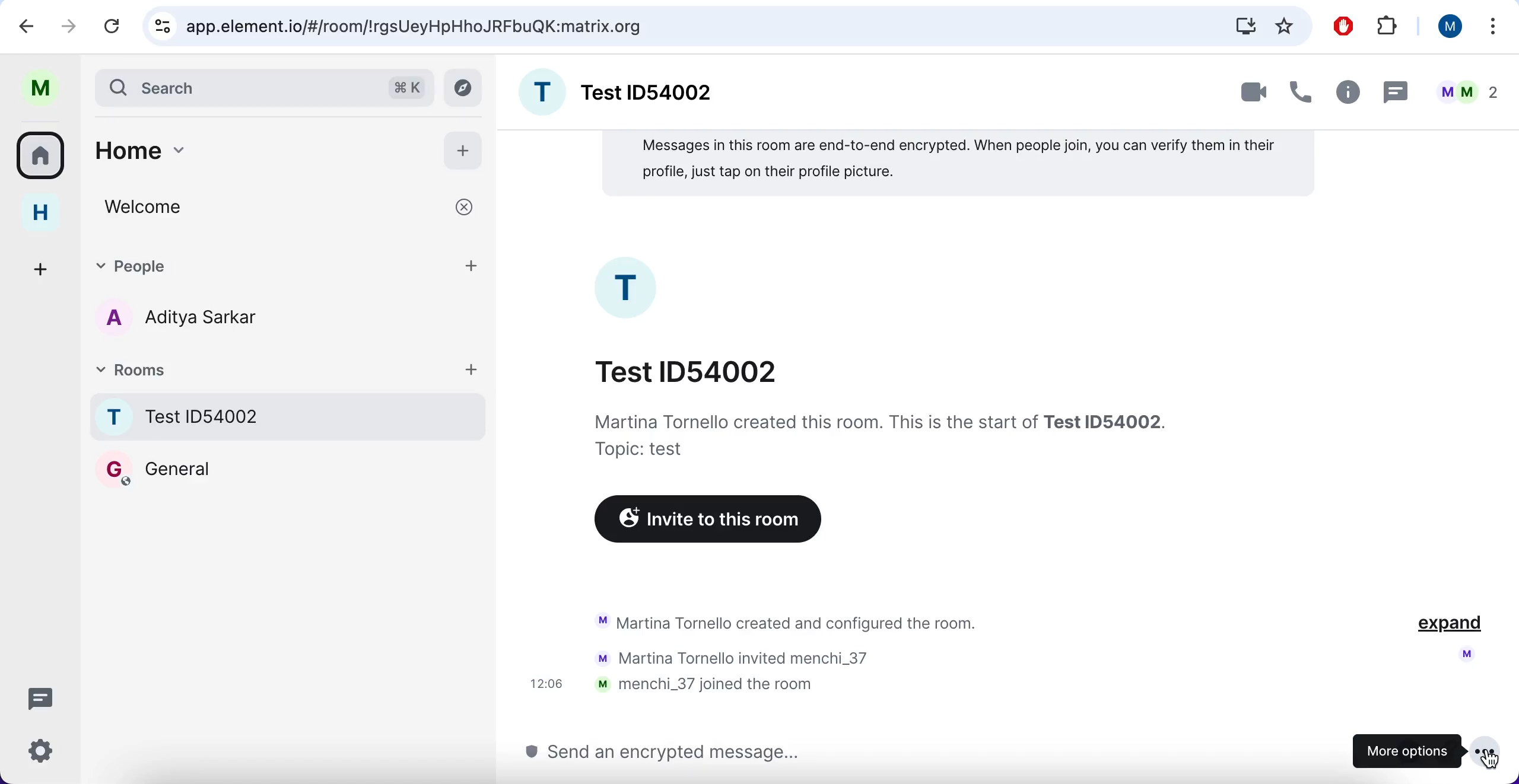 Image resolution: width=1519 pixels, height=784 pixels. Describe the element at coordinates (21, 26) in the screenshot. I see `backward` at that location.